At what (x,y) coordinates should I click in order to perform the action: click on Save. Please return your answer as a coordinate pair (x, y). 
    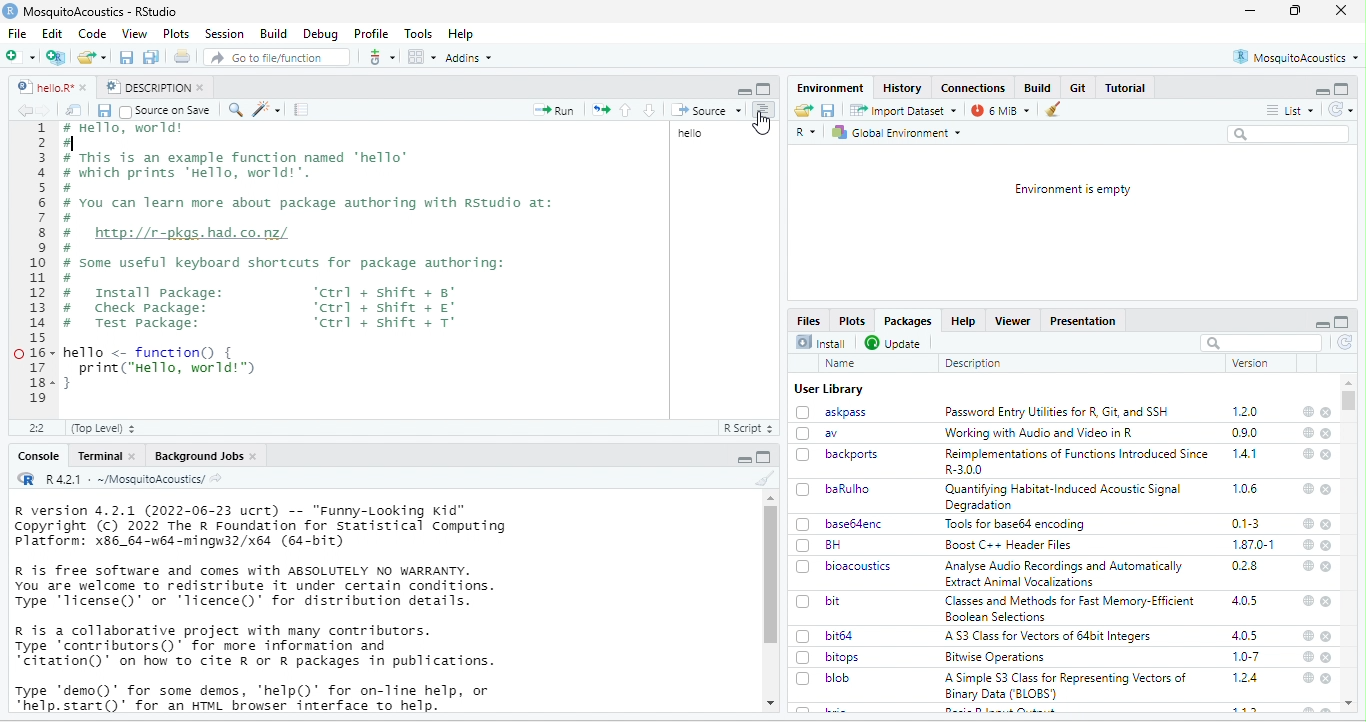
    Looking at the image, I should click on (103, 111).